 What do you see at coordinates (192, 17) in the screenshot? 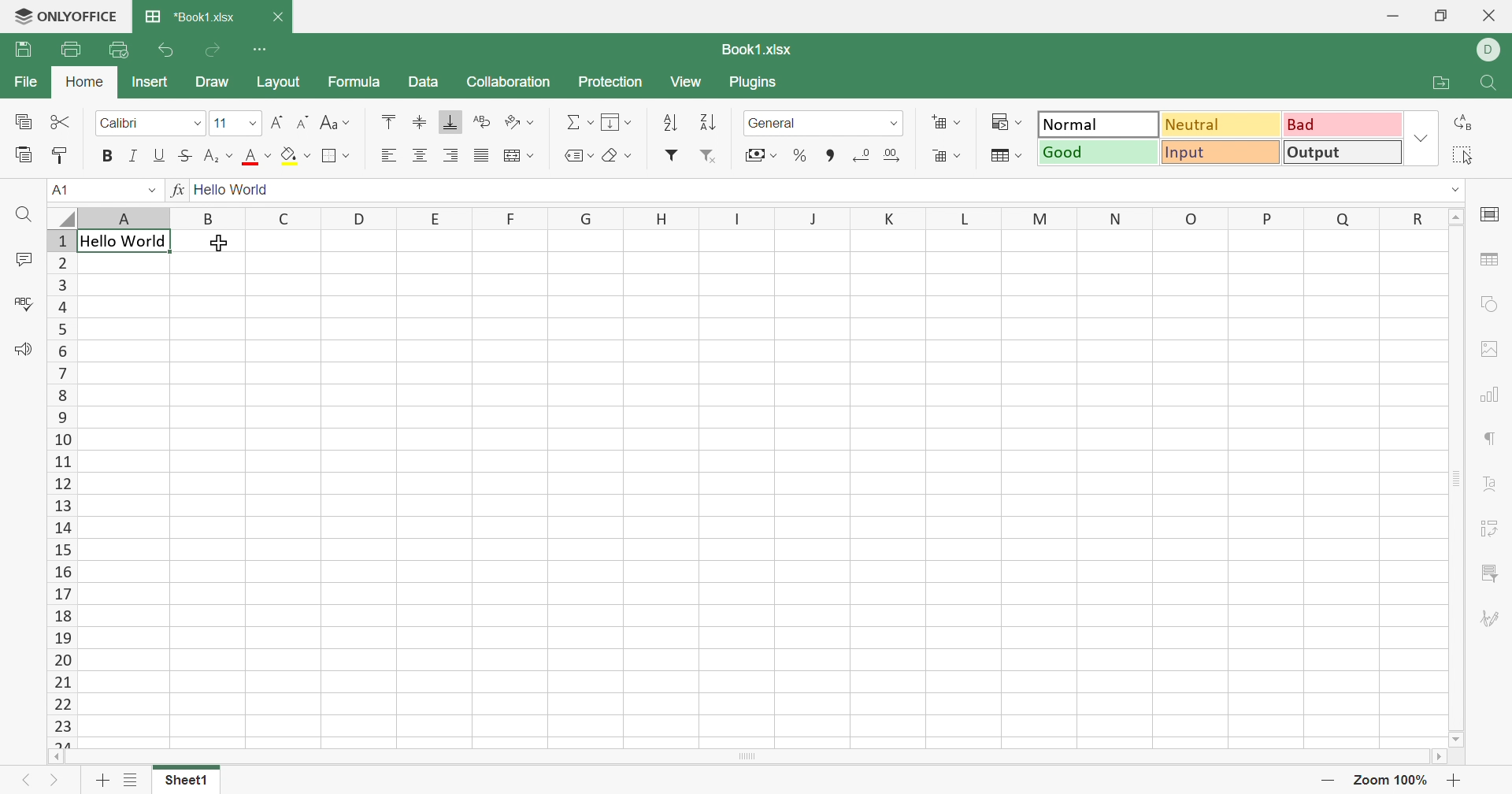
I see `*Book1.xlsx` at bounding box center [192, 17].